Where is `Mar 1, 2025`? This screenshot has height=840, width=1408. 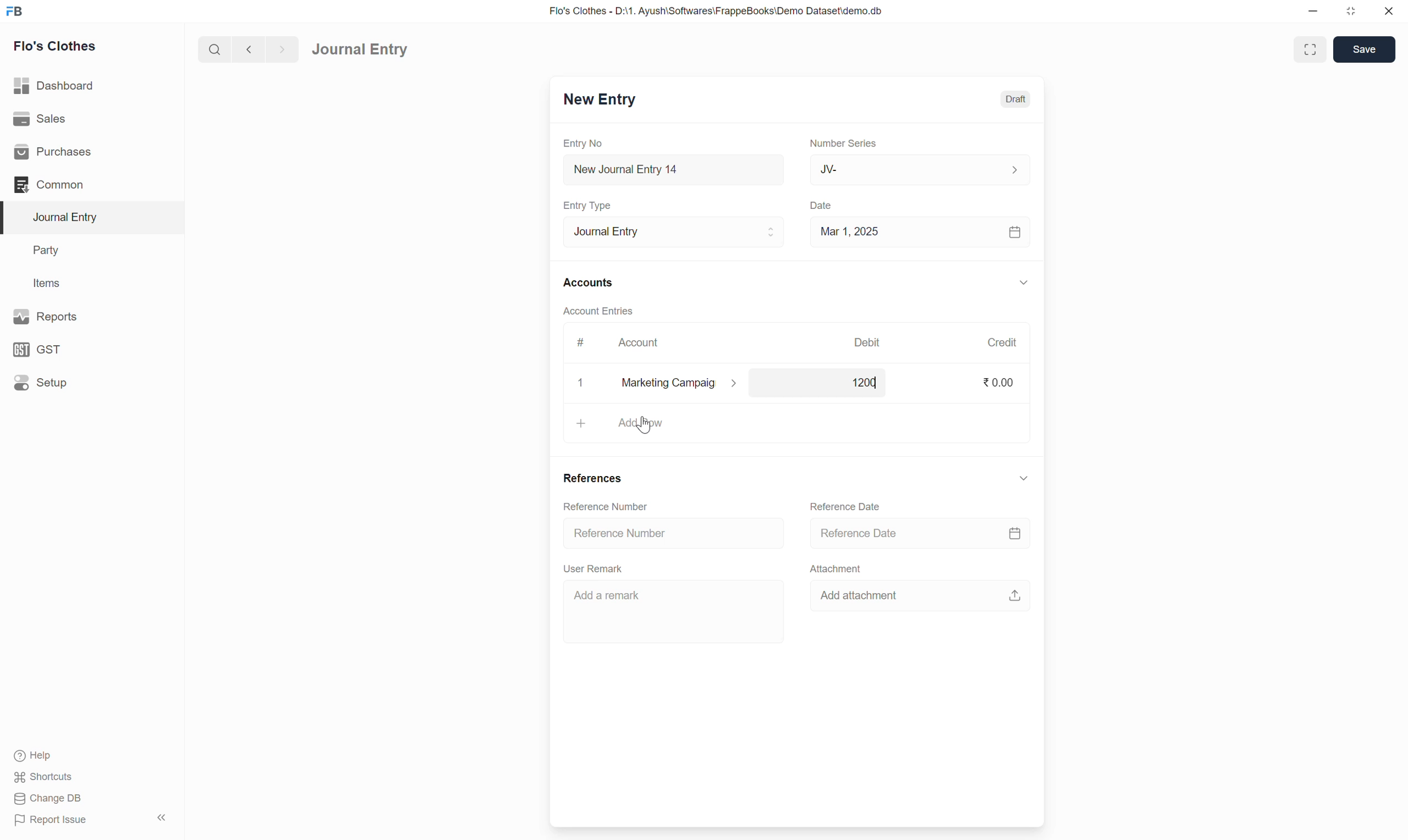
Mar 1, 2025 is located at coordinates (850, 231).